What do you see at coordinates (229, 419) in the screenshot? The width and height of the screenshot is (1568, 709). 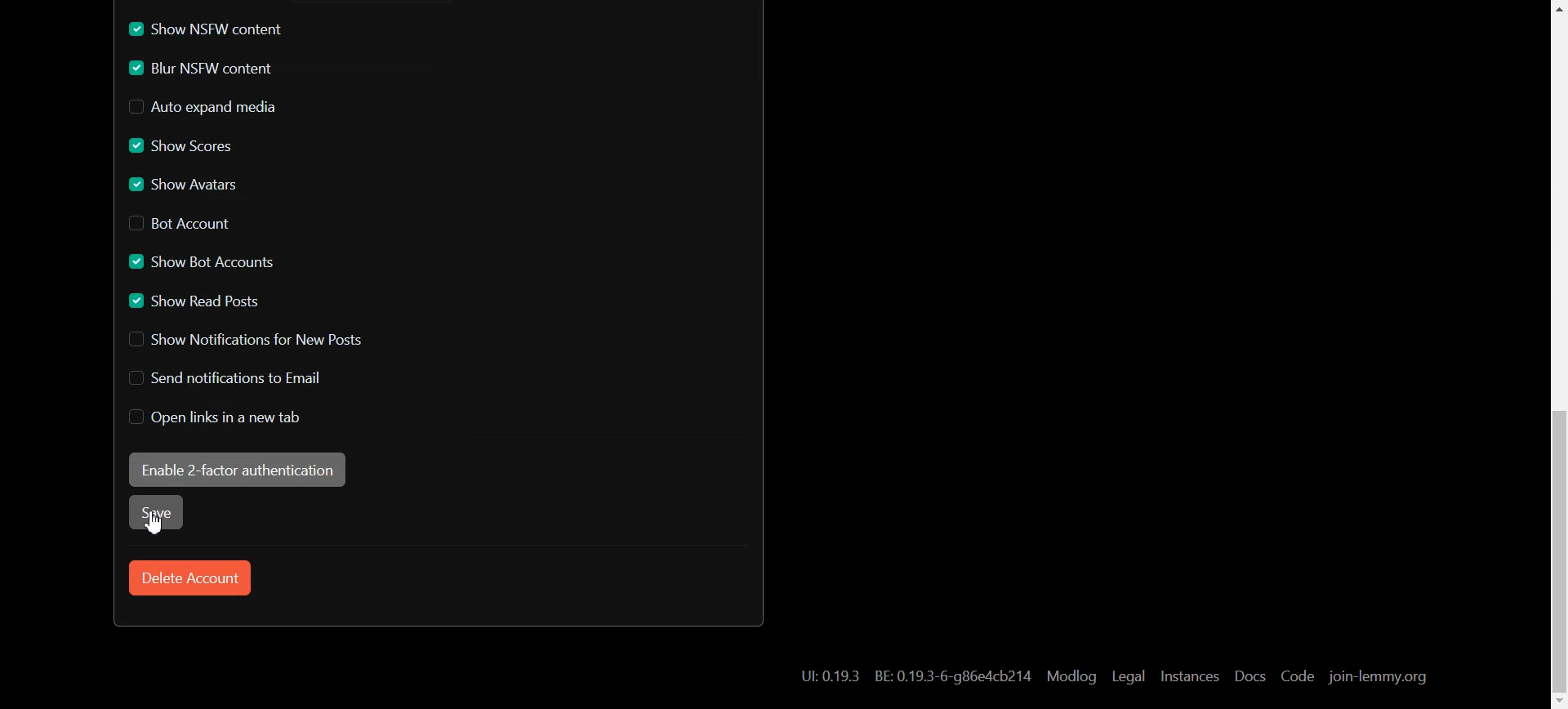 I see `Disable Open links in a new tab` at bounding box center [229, 419].